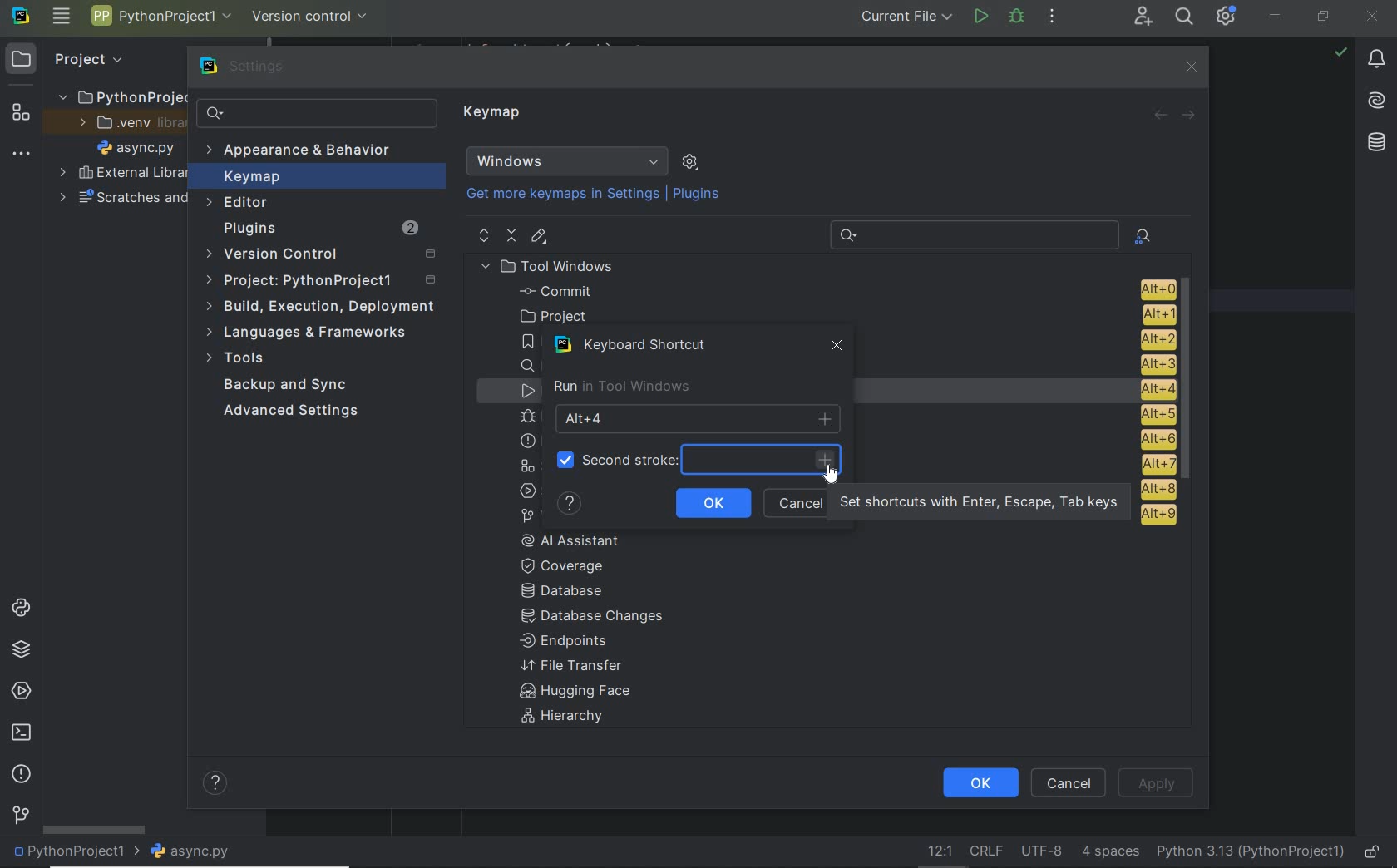  Describe the element at coordinates (844, 291) in the screenshot. I see `Commit` at that location.